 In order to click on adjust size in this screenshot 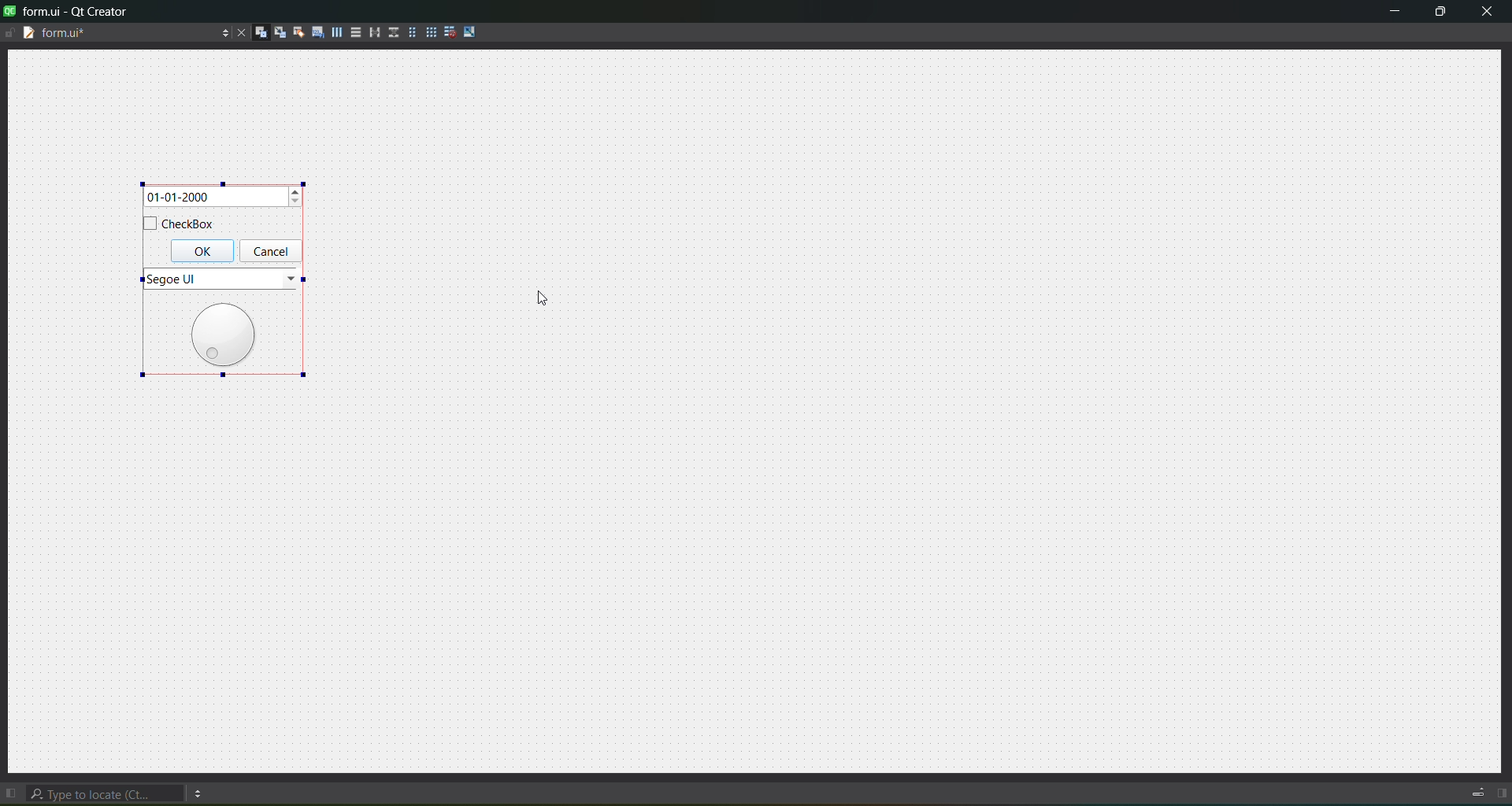, I will do `click(474, 31)`.